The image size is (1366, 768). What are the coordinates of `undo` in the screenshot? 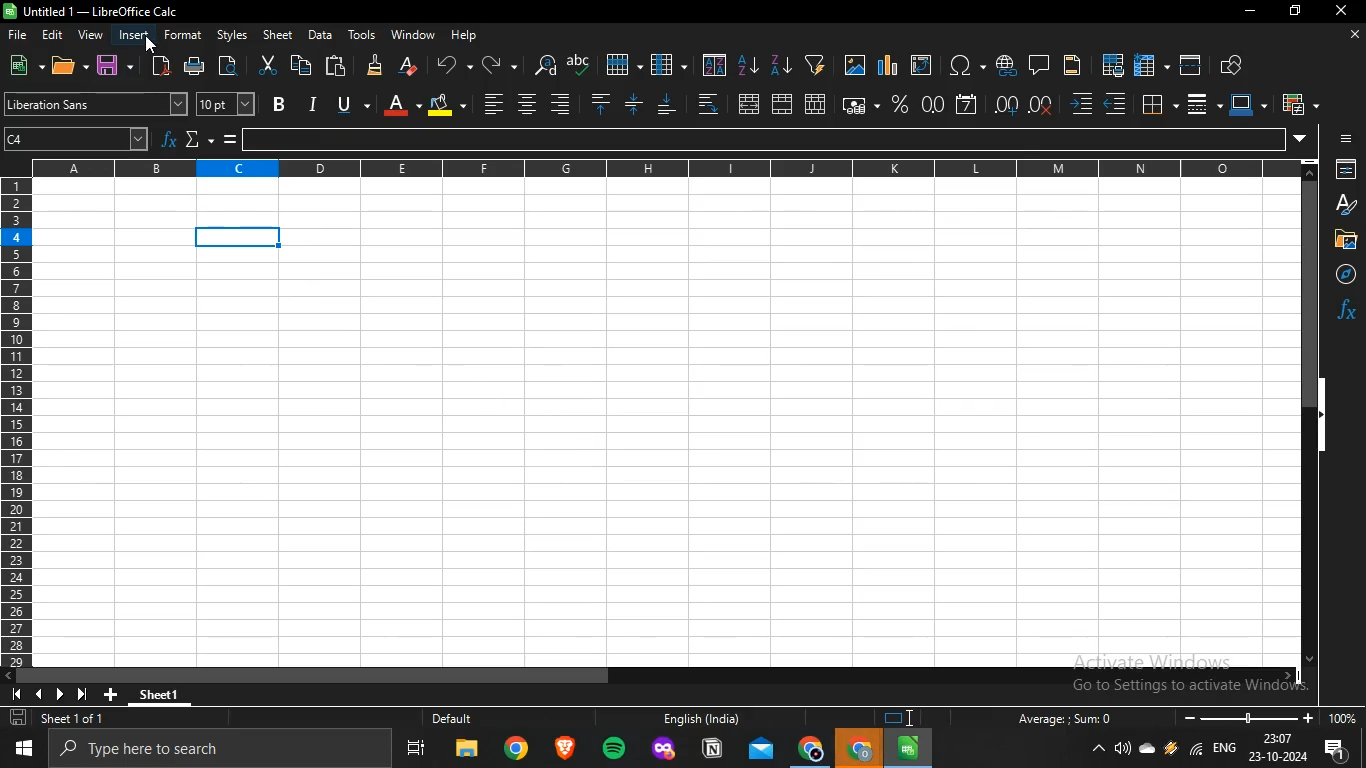 It's located at (450, 63).